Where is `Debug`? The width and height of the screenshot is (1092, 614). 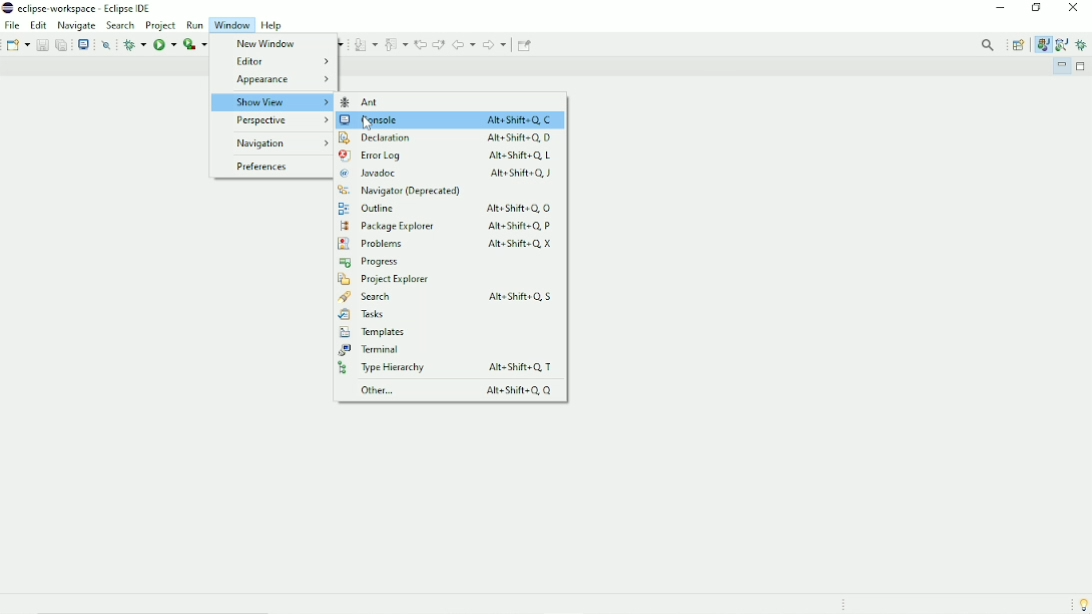 Debug is located at coordinates (1082, 45).